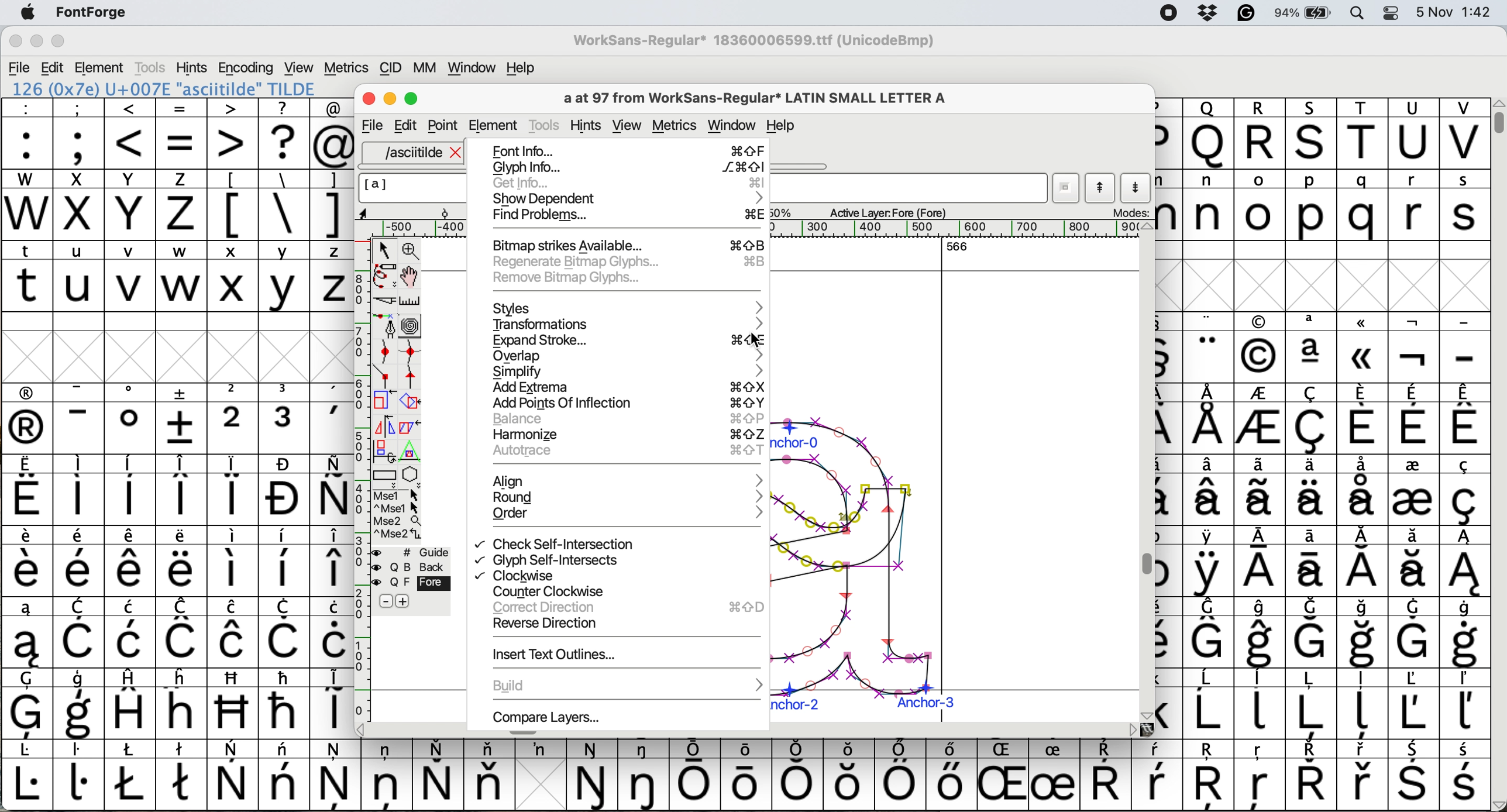  I want to click on R, so click(1260, 134).